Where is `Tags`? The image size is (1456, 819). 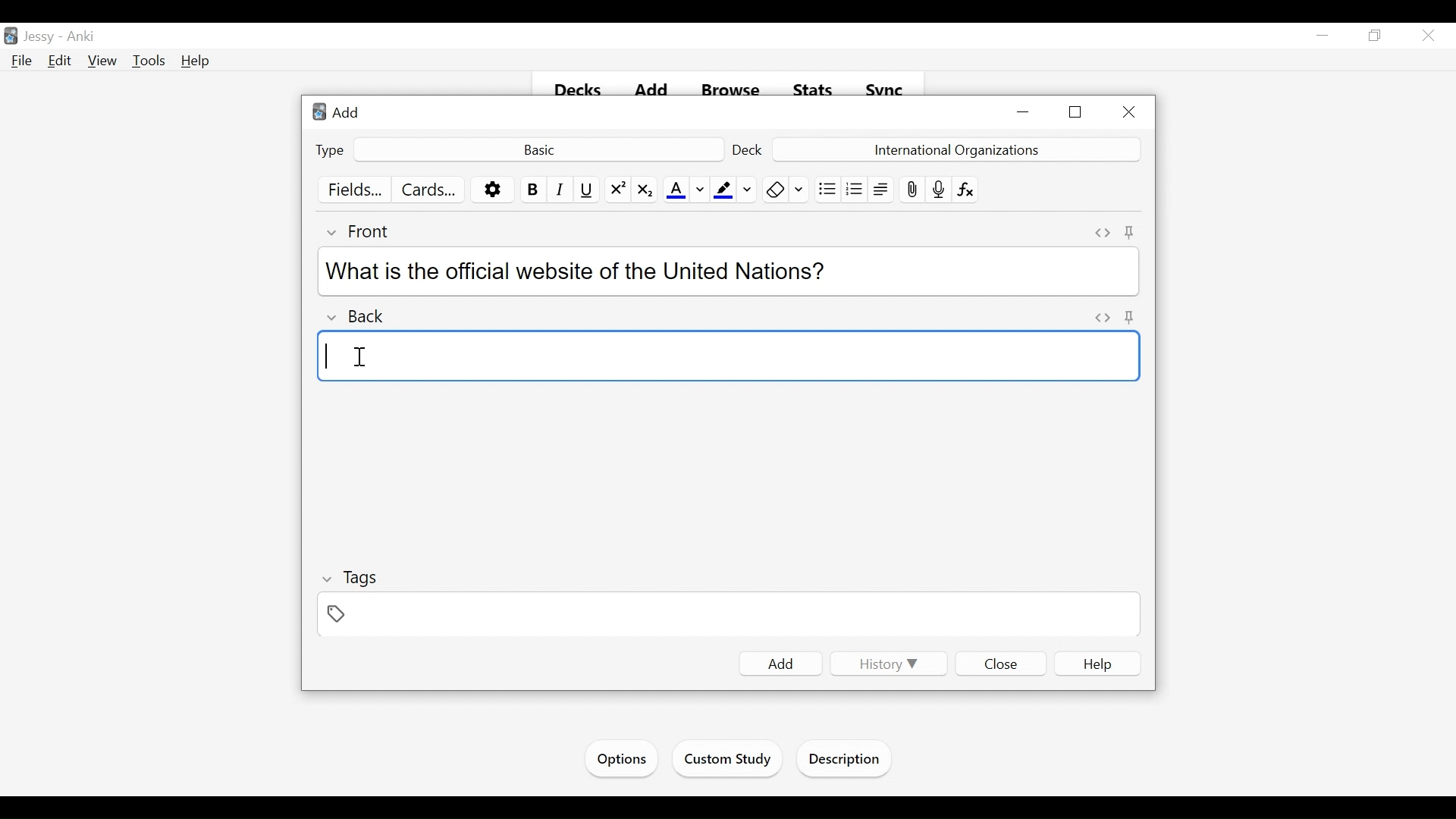 Tags is located at coordinates (352, 577).